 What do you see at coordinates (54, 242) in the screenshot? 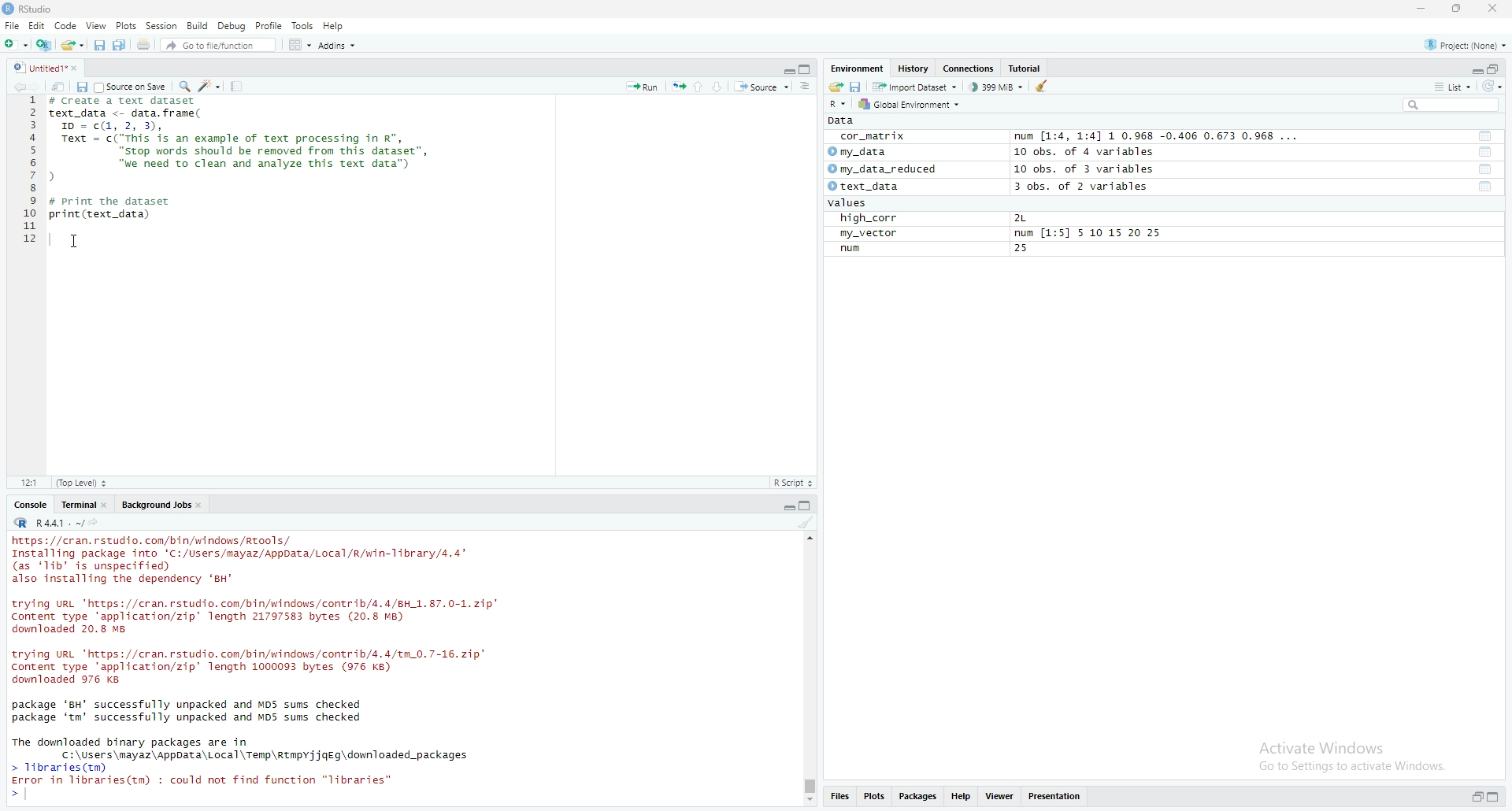
I see `text cursor` at bounding box center [54, 242].